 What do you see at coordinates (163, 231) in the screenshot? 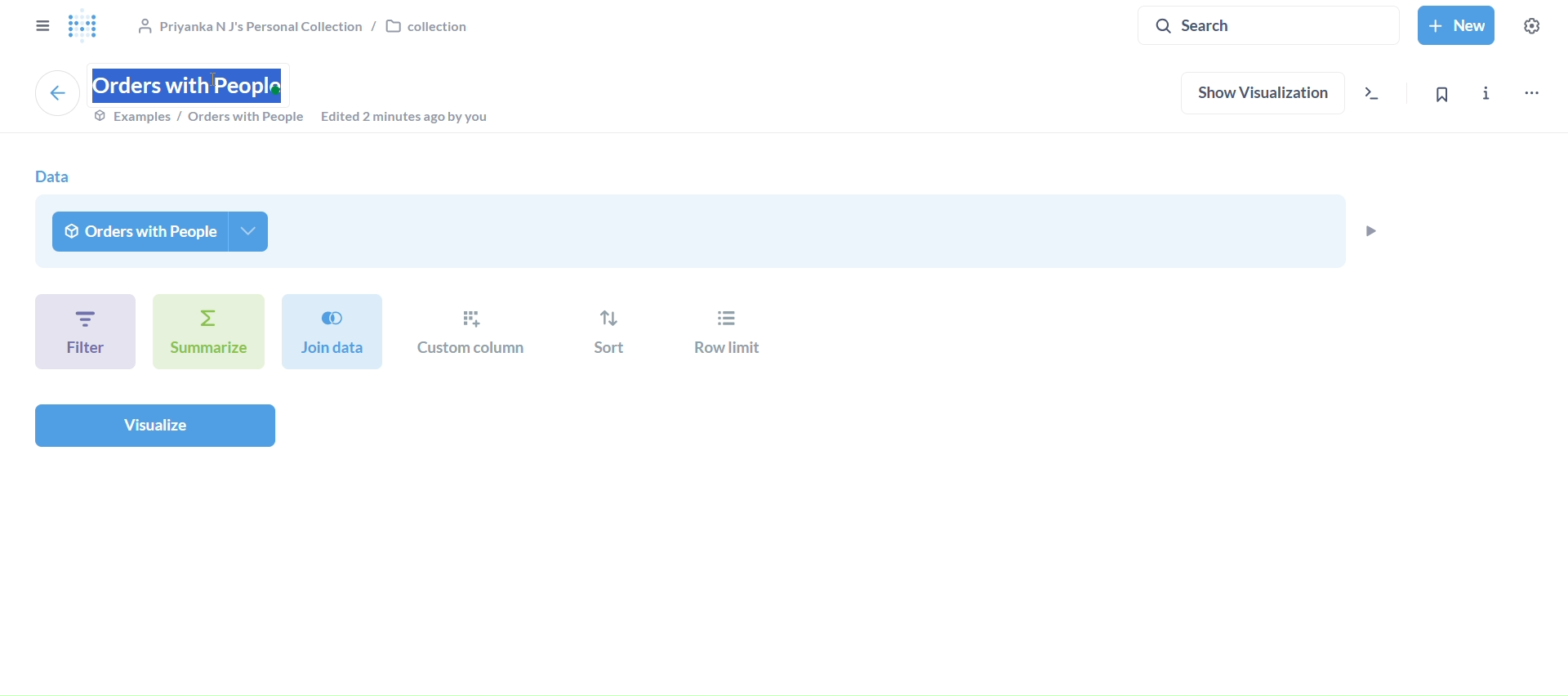
I see `orders with people` at bounding box center [163, 231].